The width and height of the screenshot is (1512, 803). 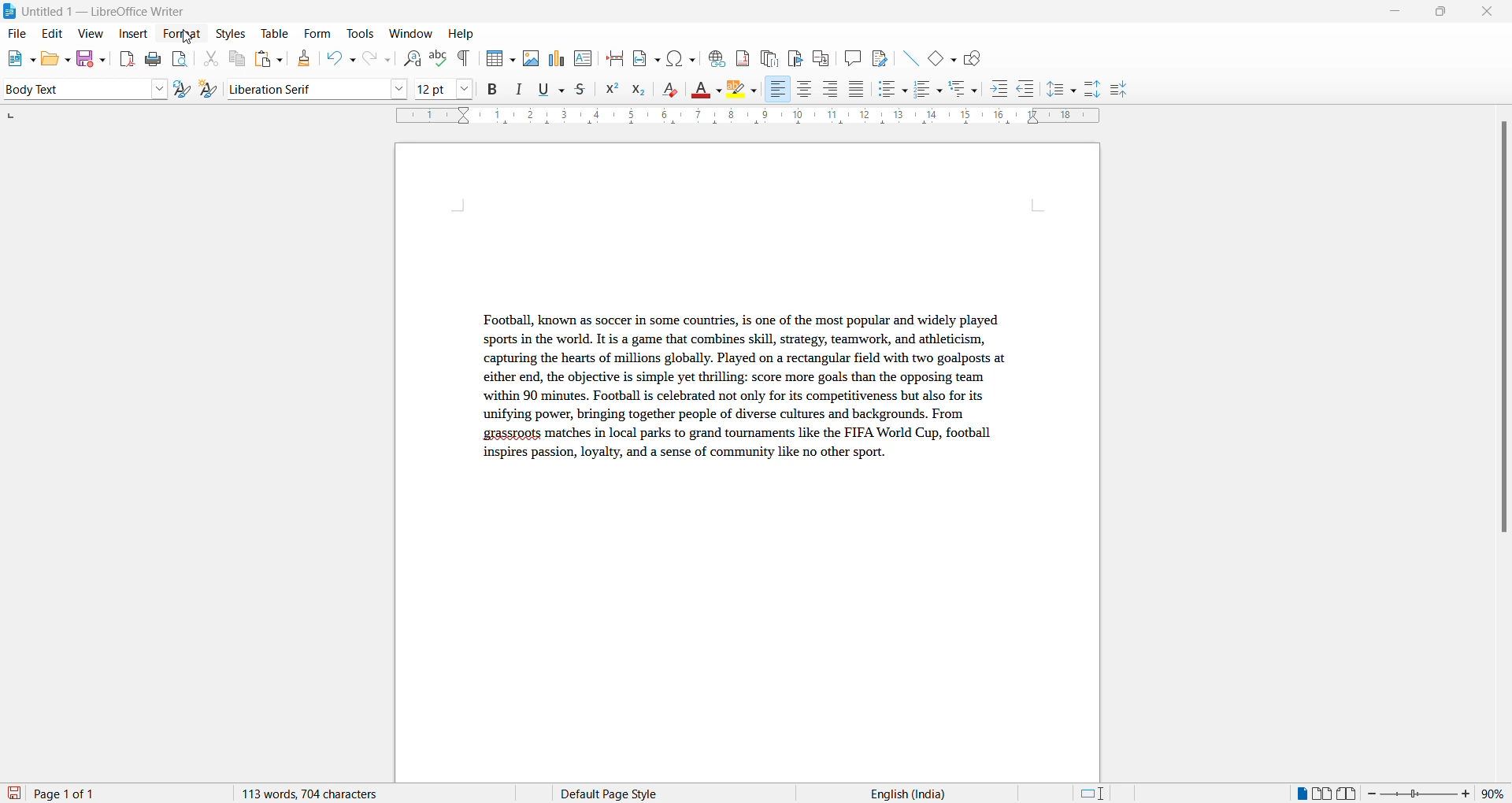 I want to click on zoom slider, so click(x=1421, y=794).